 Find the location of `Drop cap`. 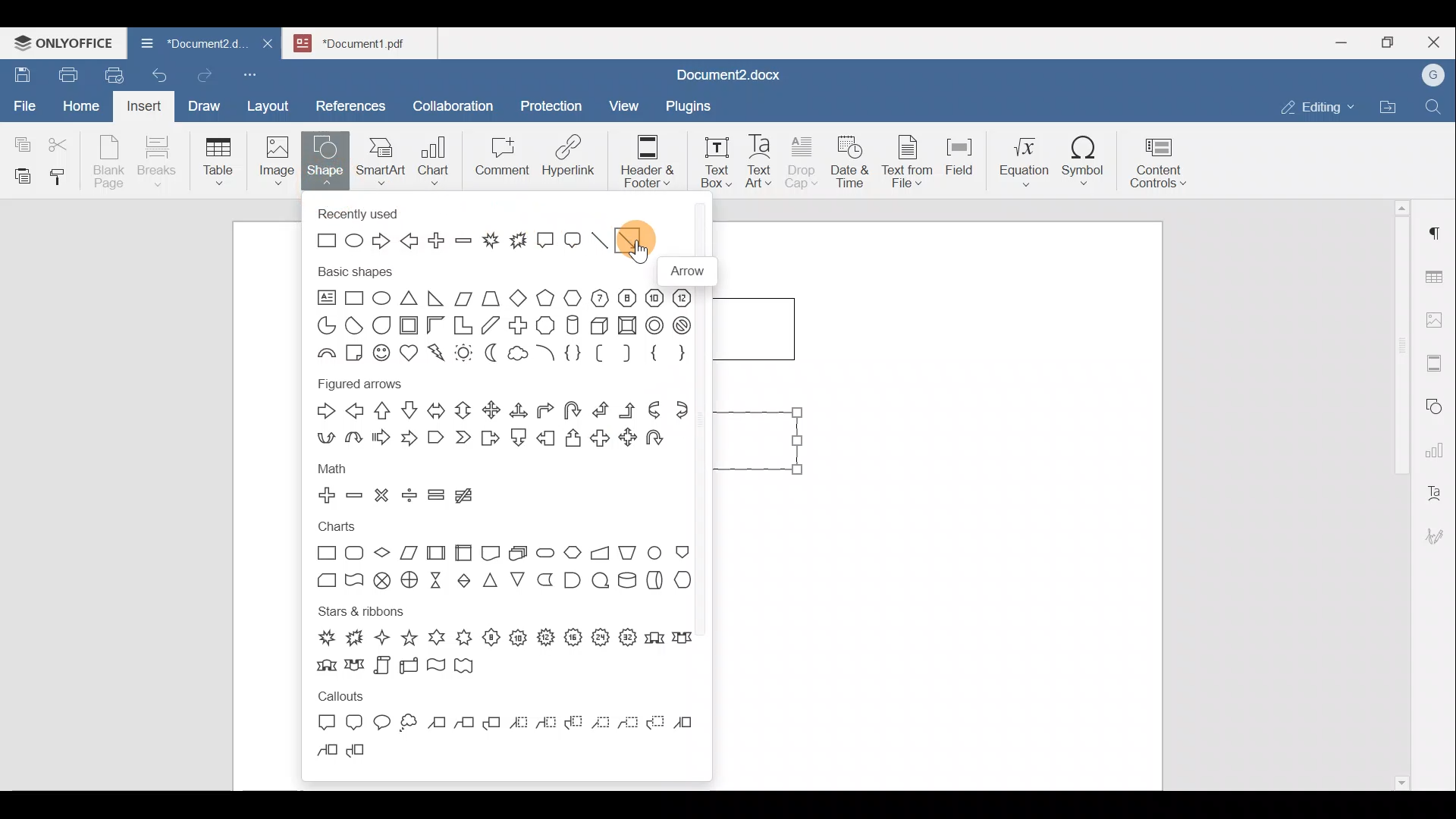

Drop cap is located at coordinates (805, 160).